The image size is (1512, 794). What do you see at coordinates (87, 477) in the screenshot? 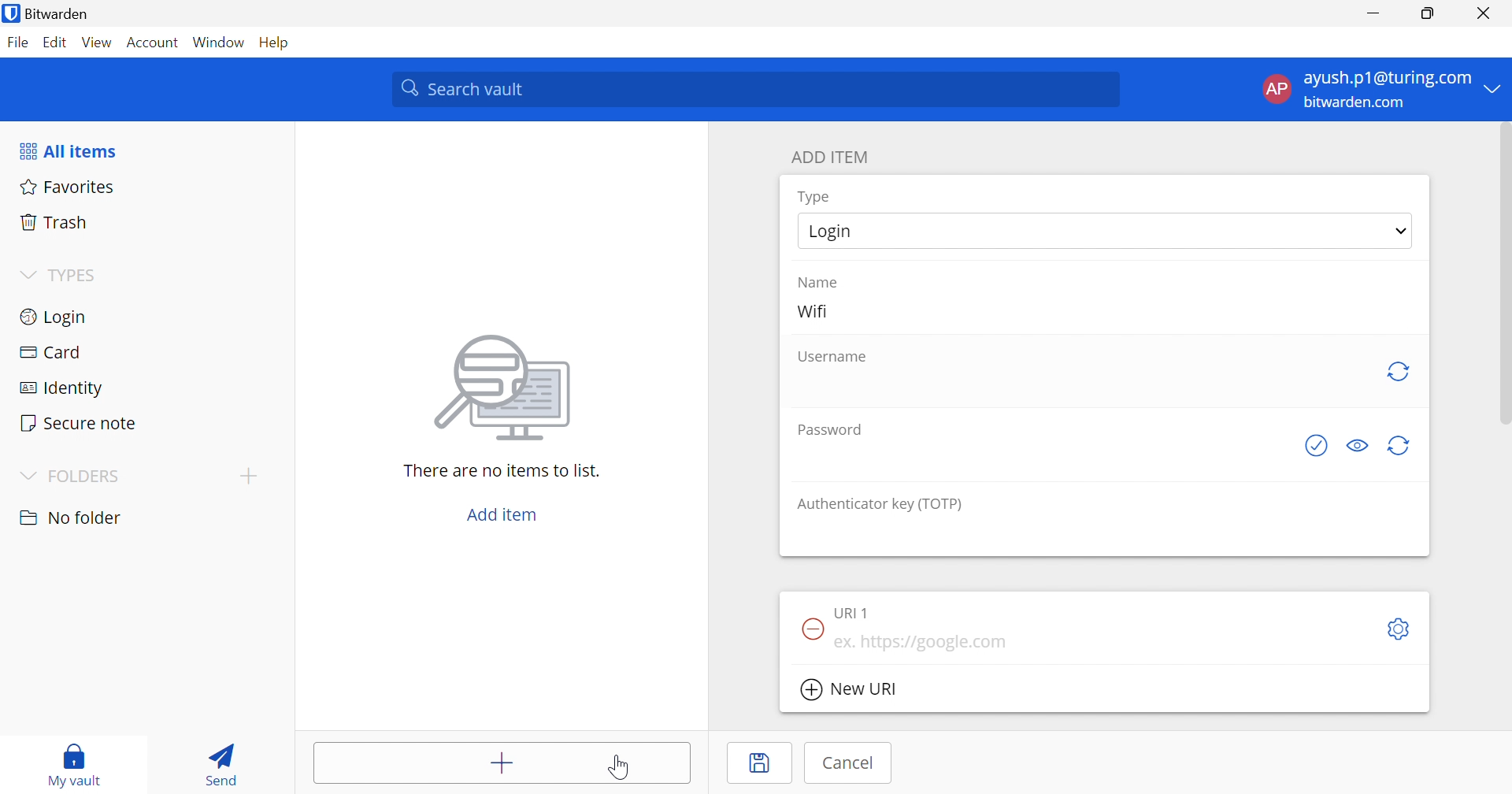
I see `FOLDERS` at bounding box center [87, 477].